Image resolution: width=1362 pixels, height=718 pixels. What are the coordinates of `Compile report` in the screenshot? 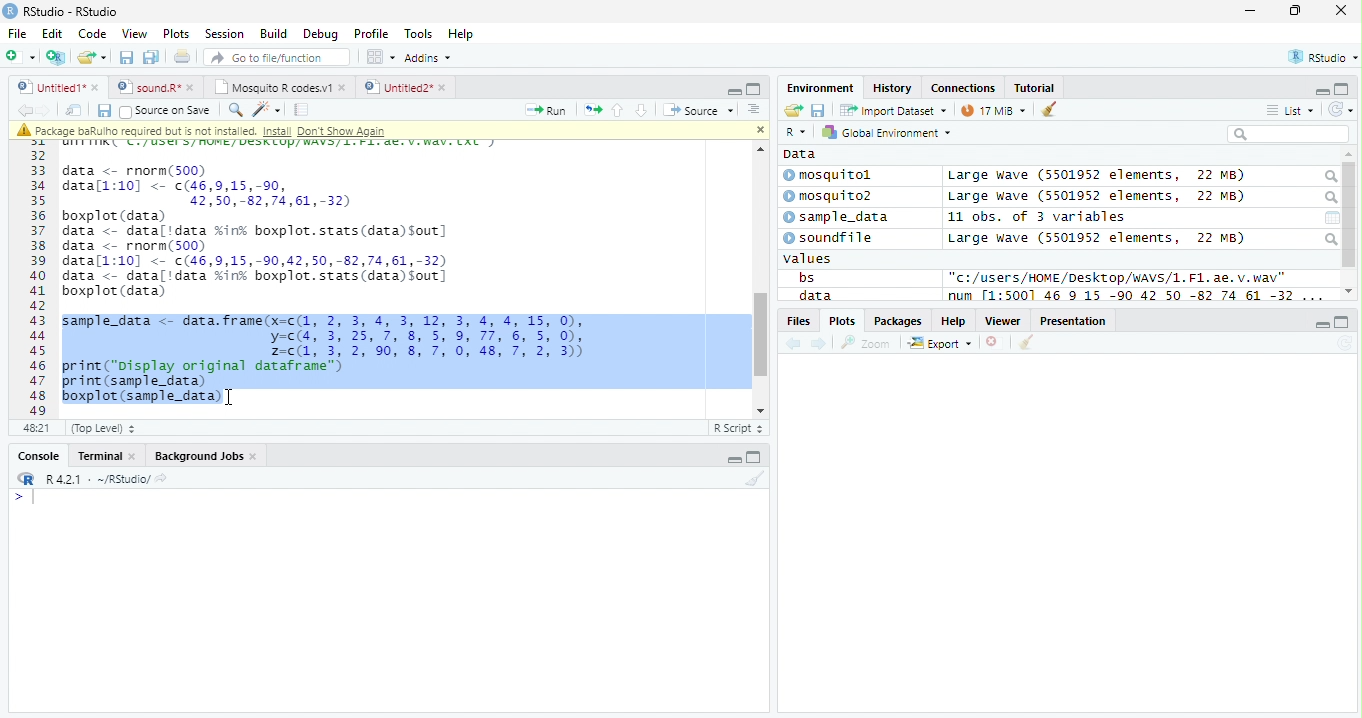 It's located at (302, 110).